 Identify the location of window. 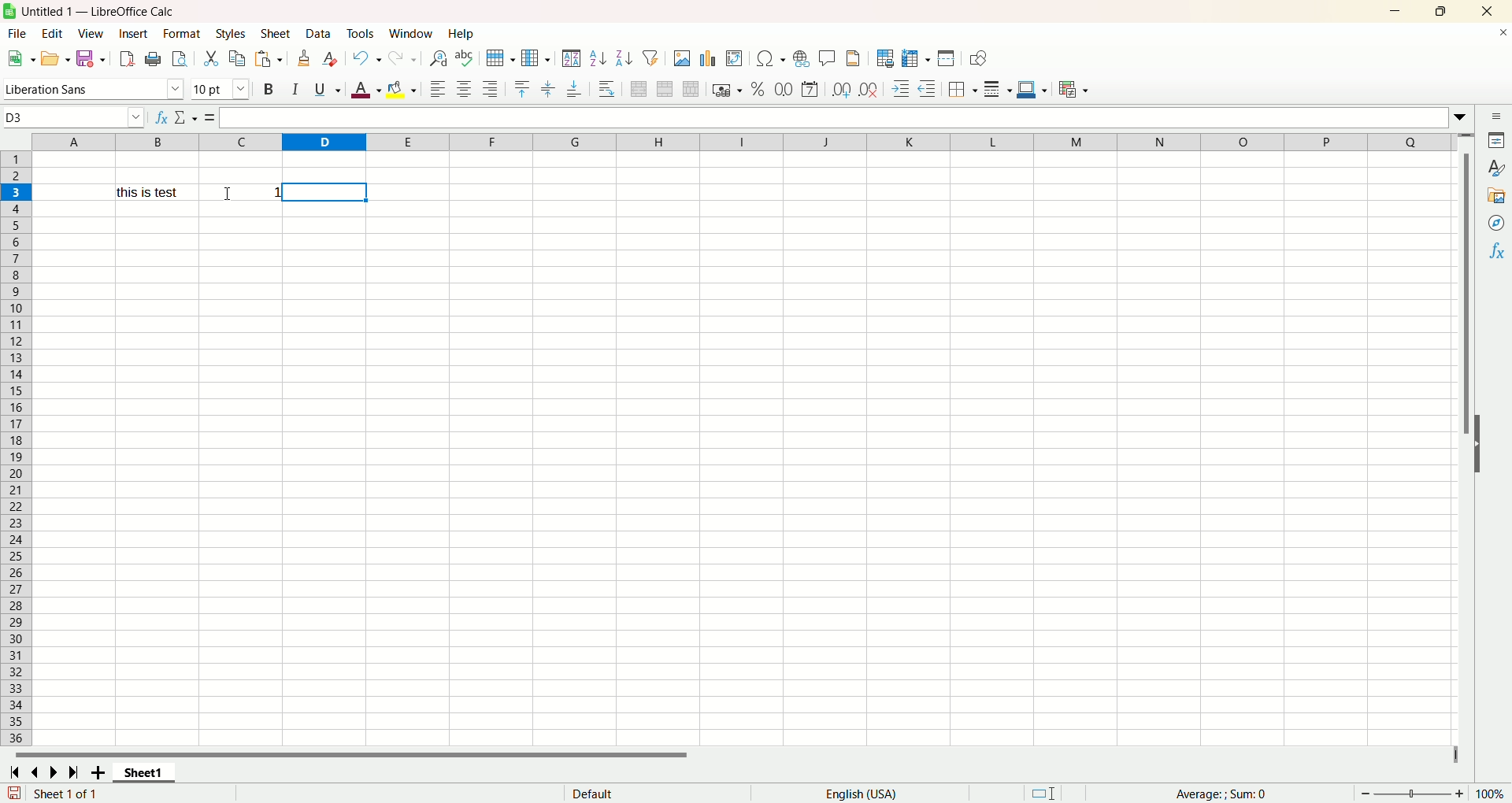
(413, 33).